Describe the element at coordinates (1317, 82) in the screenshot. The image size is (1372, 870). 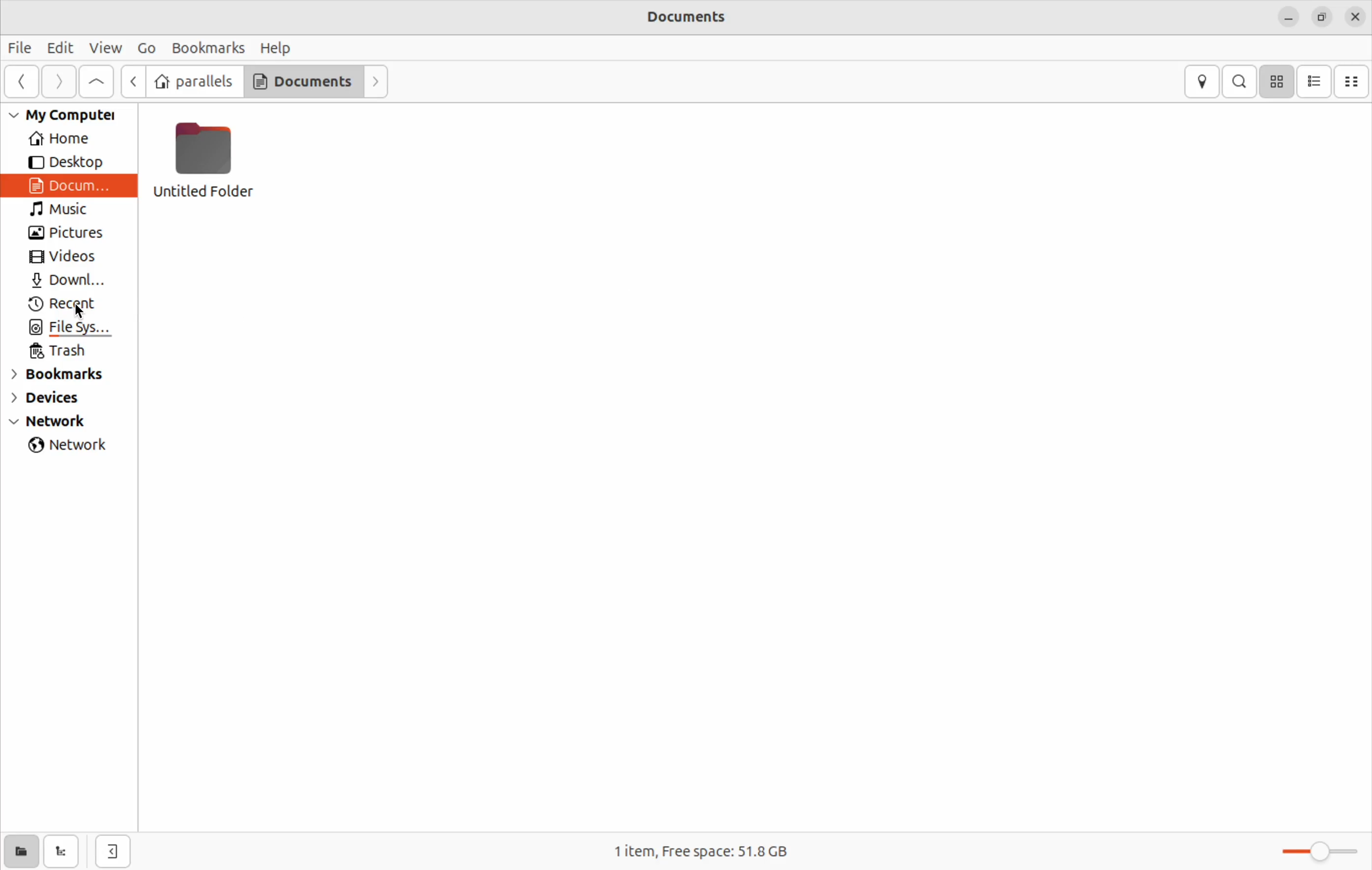
I see `list view` at that location.